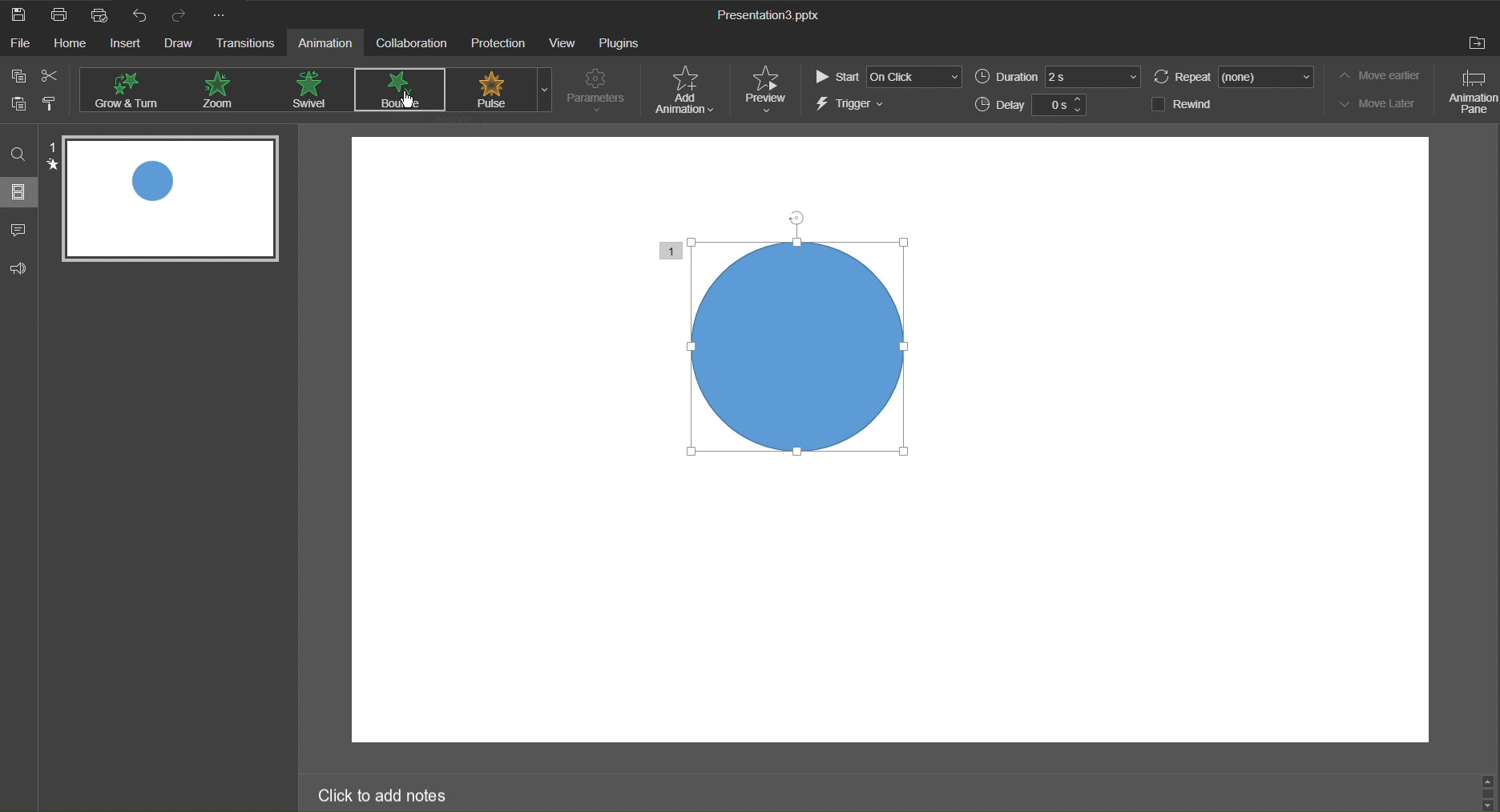 The image size is (1500, 812). Describe the element at coordinates (1000, 106) in the screenshot. I see `Delay:` at that location.